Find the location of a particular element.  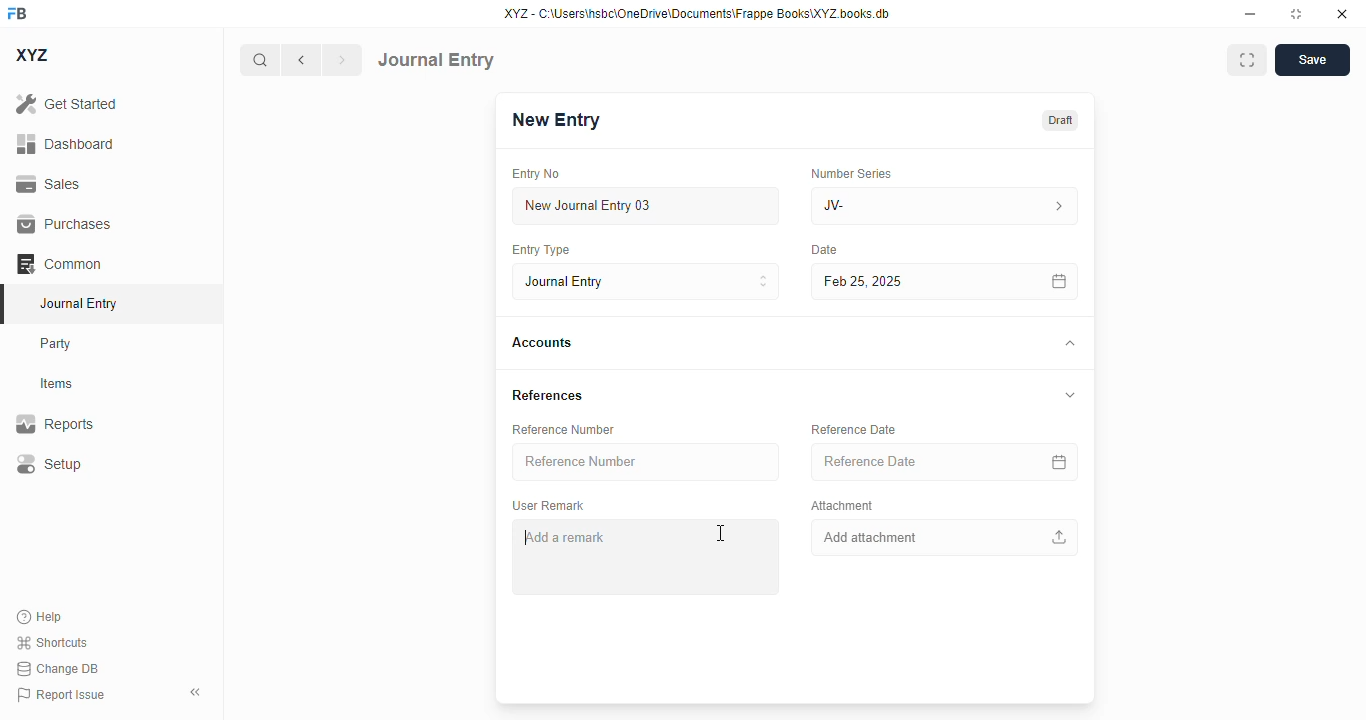

close is located at coordinates (1342, 13).